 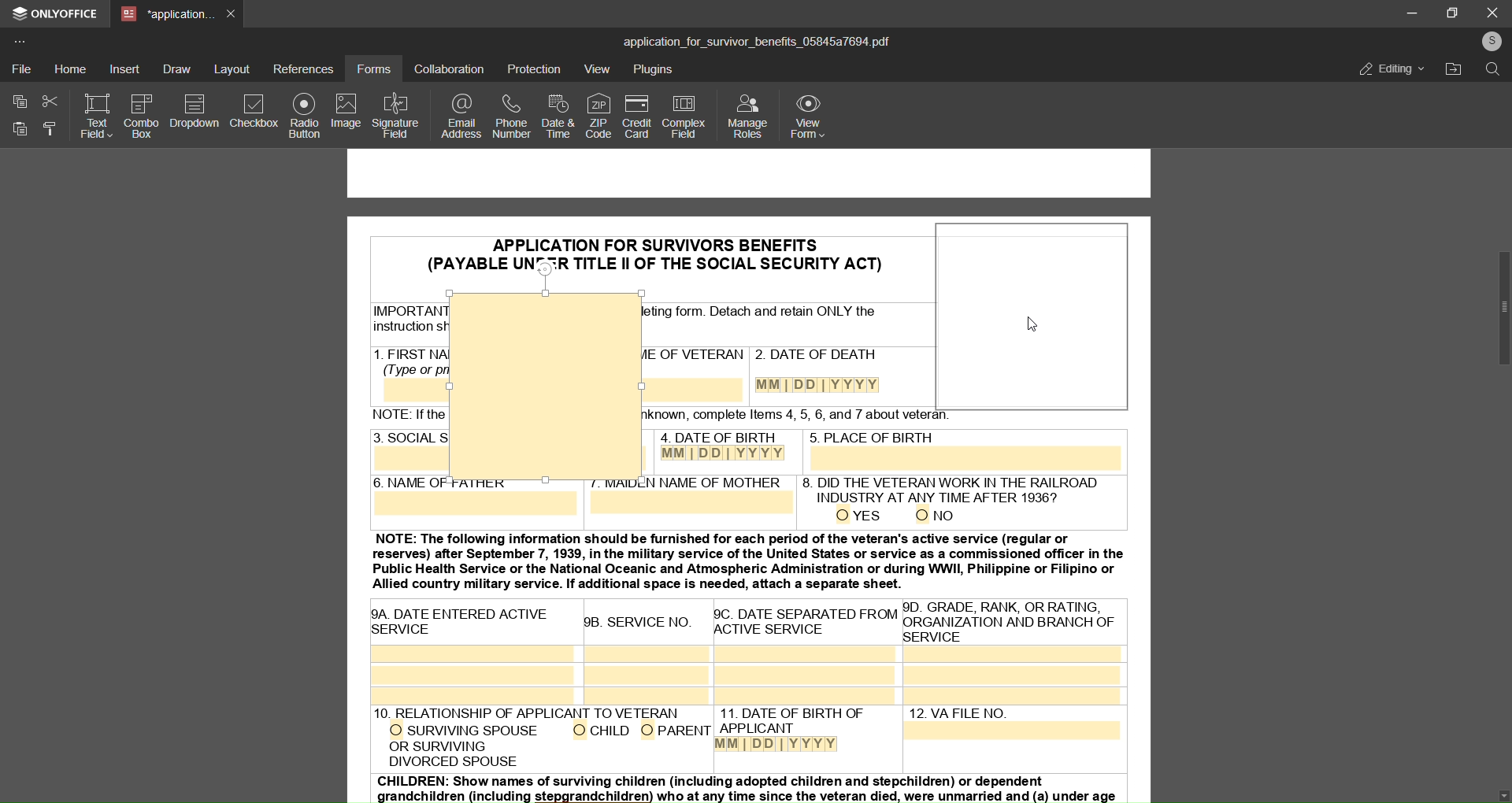 I want to click on move down, so click(x=1494, y=790).